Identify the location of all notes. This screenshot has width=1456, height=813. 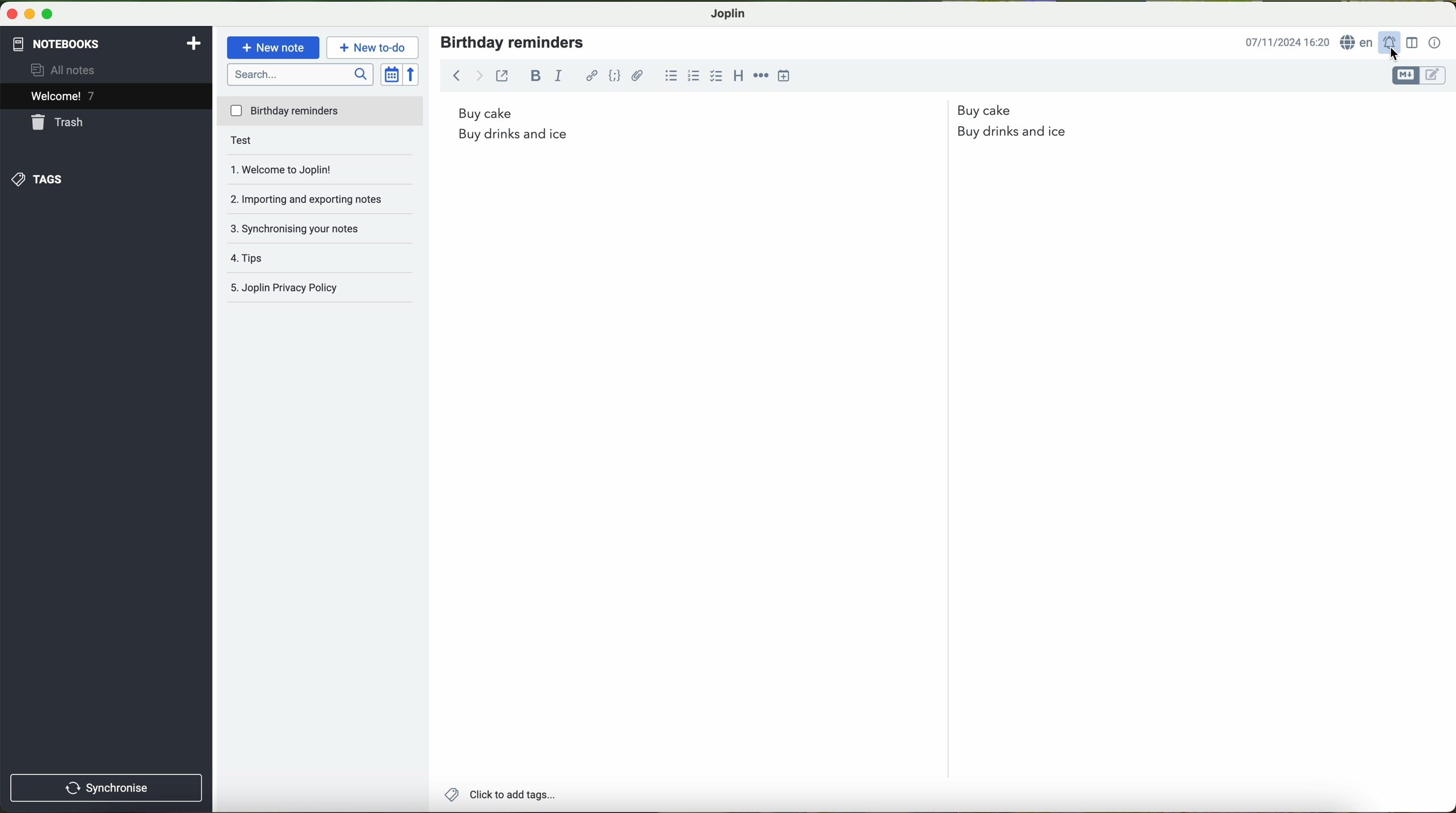
(75, 71).